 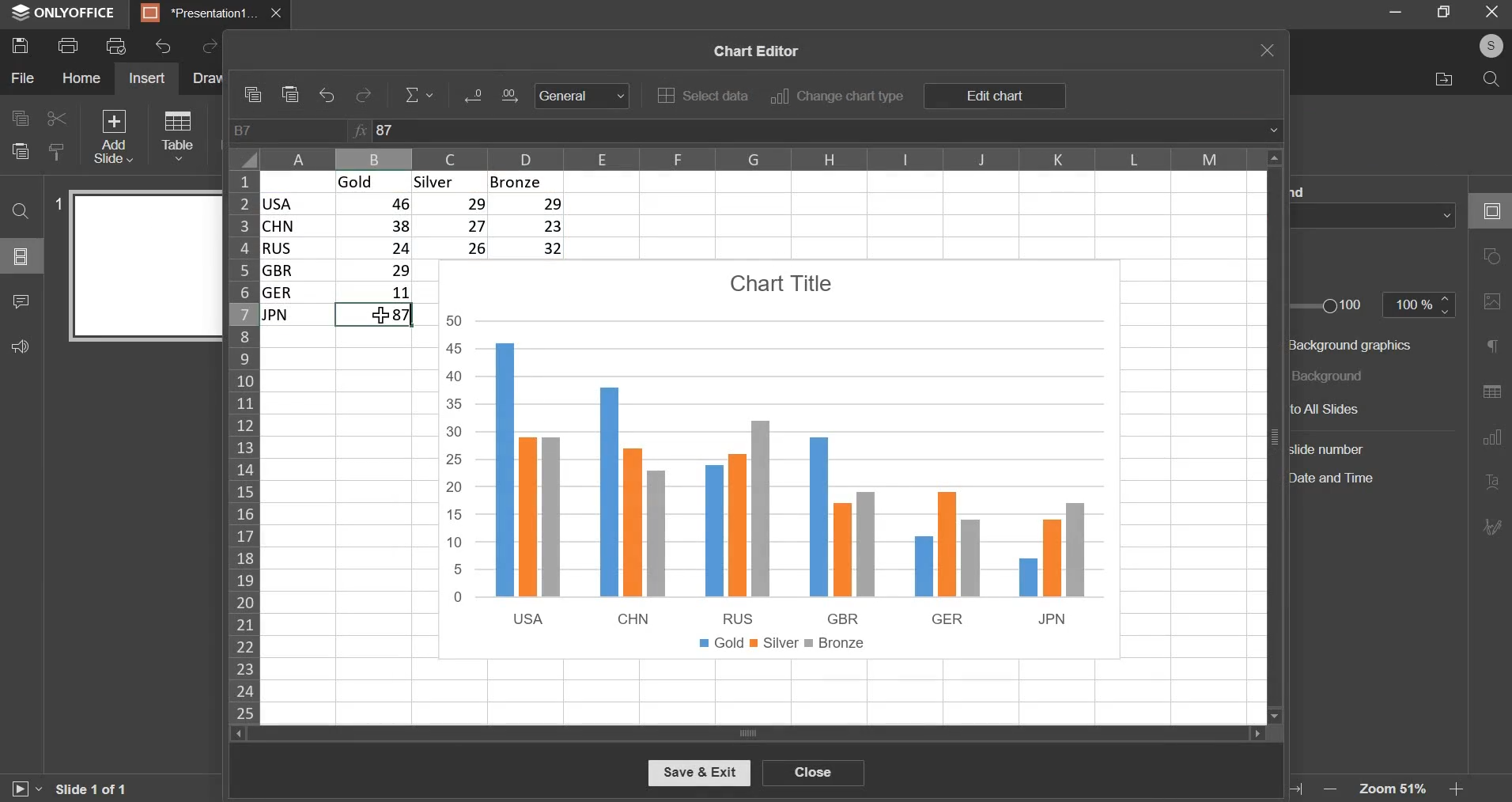 What do you see at coordinates (22, 78) in the screenshot?
I see `file` at bounding box center [22, 78].